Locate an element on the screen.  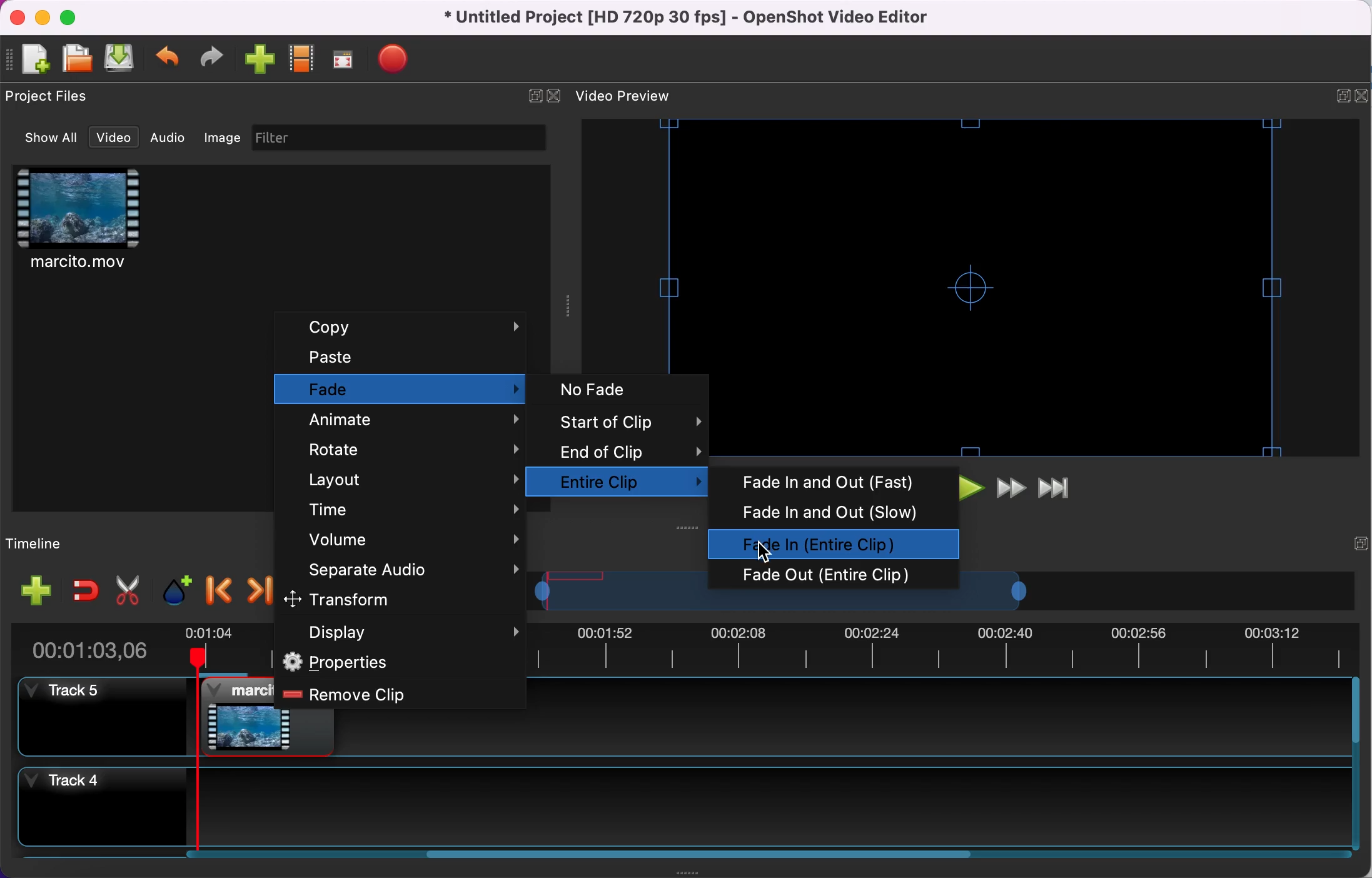
title - Untitled Project [HD 720p 30 fps) - OpenShot Video Editor is located at coordinates (692, 18).